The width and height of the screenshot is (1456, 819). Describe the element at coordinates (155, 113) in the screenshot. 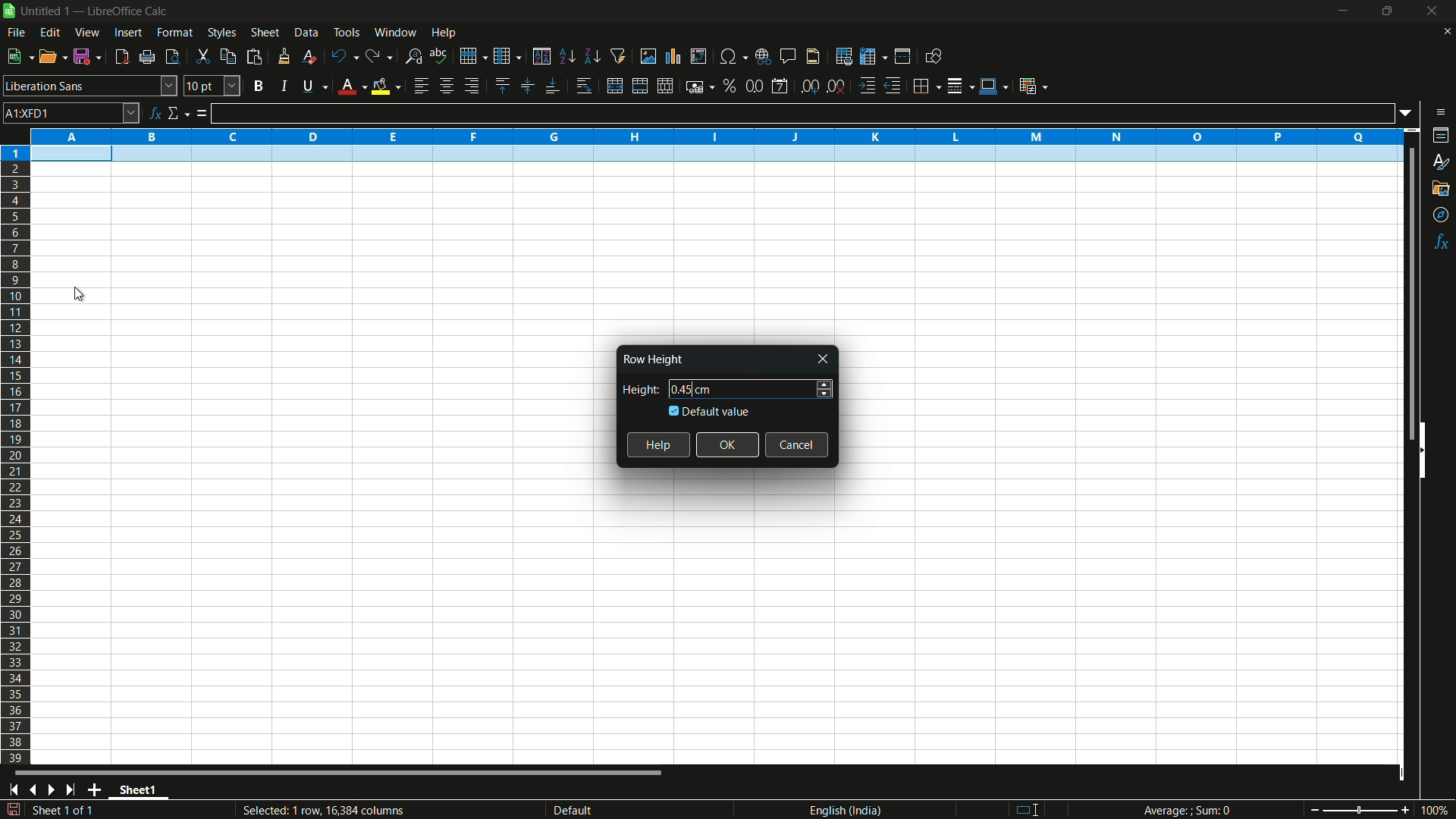

I see `function wizard` at that location.